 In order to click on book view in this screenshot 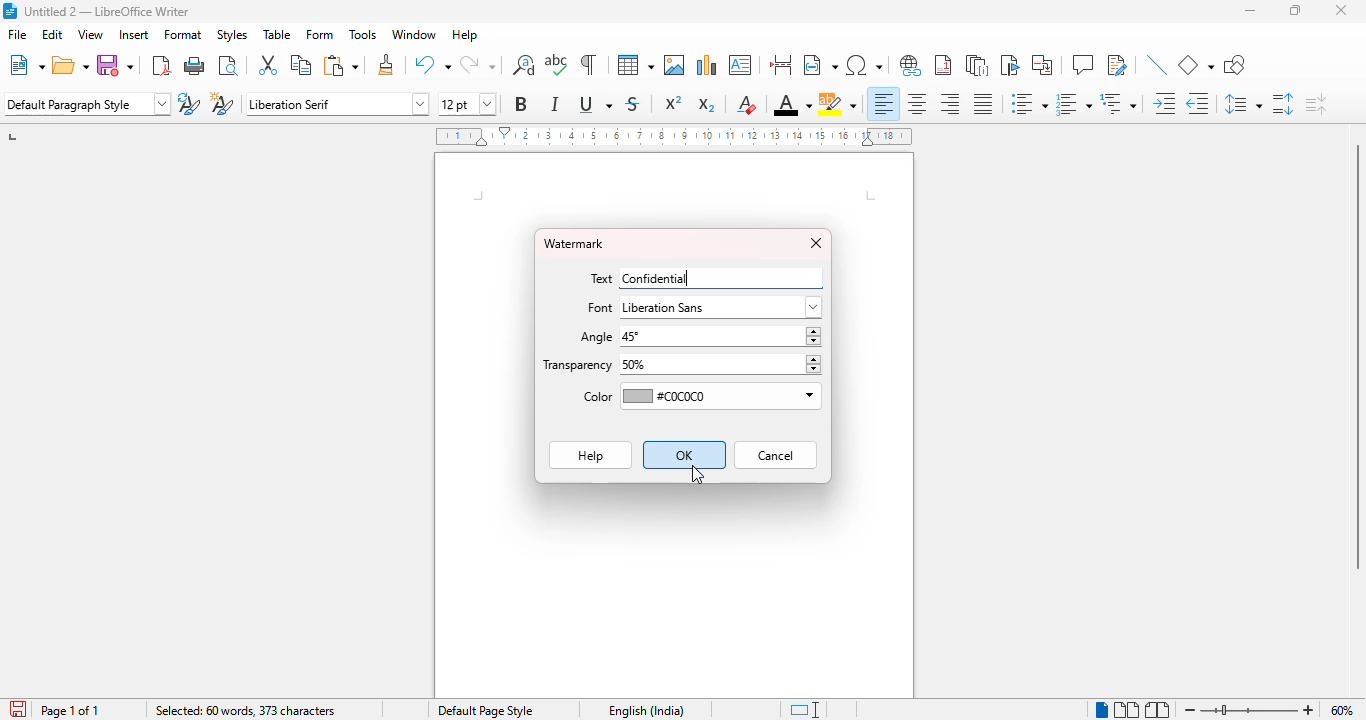, I will do `click(1157, 710)`.